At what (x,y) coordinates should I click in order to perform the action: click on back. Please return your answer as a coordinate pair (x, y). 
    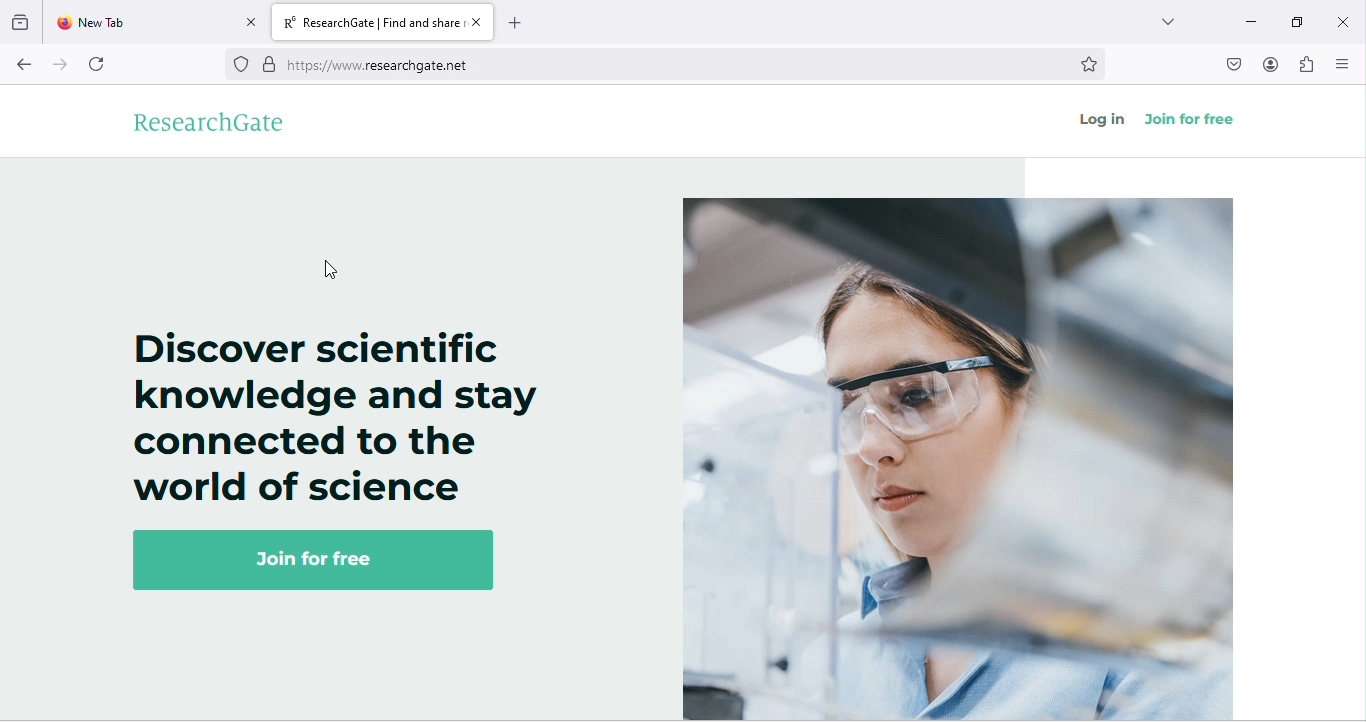
    Looking at the image, I should click on (24, 67).